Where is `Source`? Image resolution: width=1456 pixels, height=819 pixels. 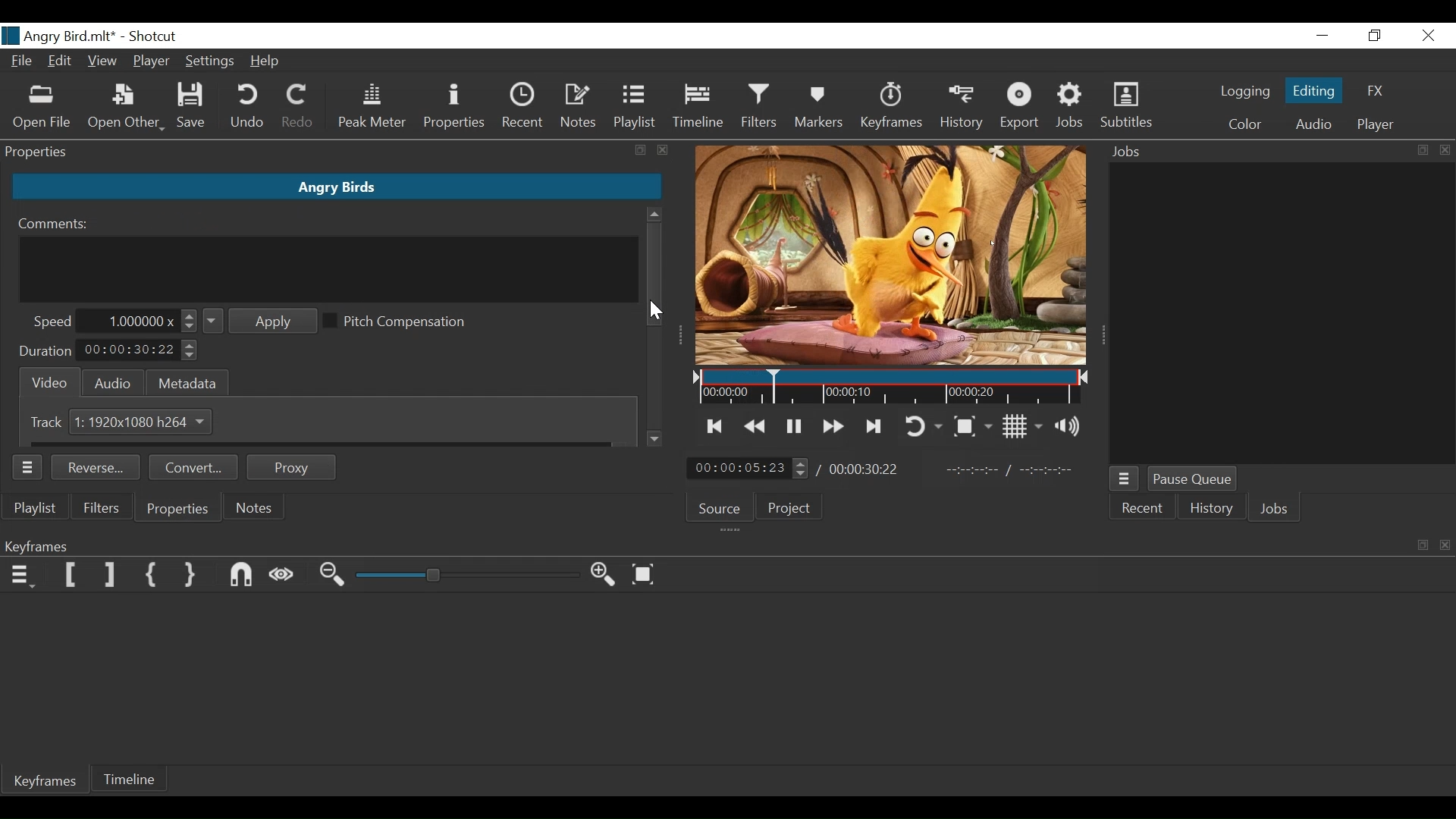
Source is located at coordinates (720, 507).